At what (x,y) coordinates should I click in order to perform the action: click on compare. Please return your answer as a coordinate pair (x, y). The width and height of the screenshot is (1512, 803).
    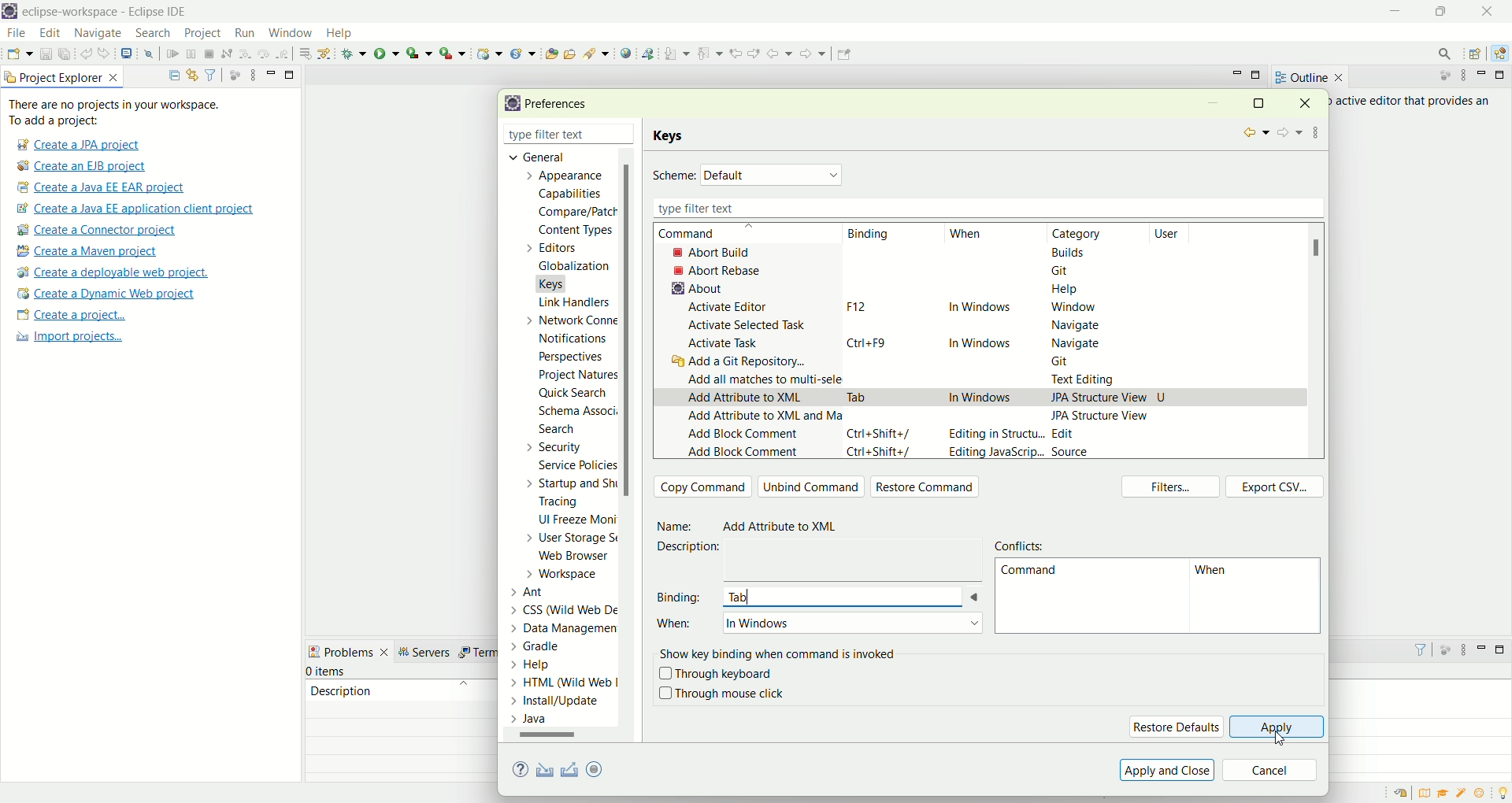
    Looking at the image, I should click on (576, 211).